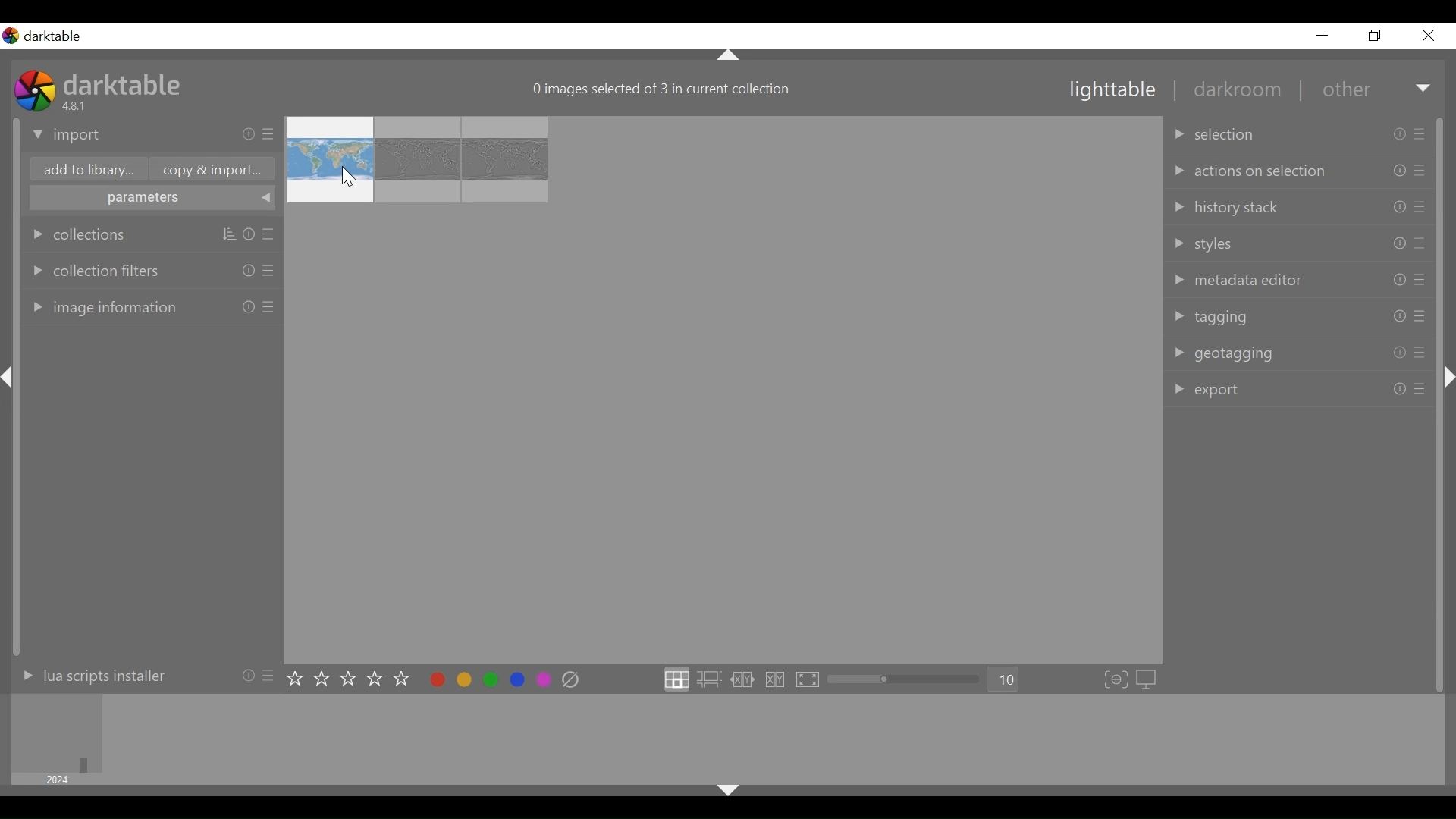  What do you see at coordinates (773, 679) in the screenshot?
I see `click to enter culling layout in dynamic mode` at bounding box center [773, 679].